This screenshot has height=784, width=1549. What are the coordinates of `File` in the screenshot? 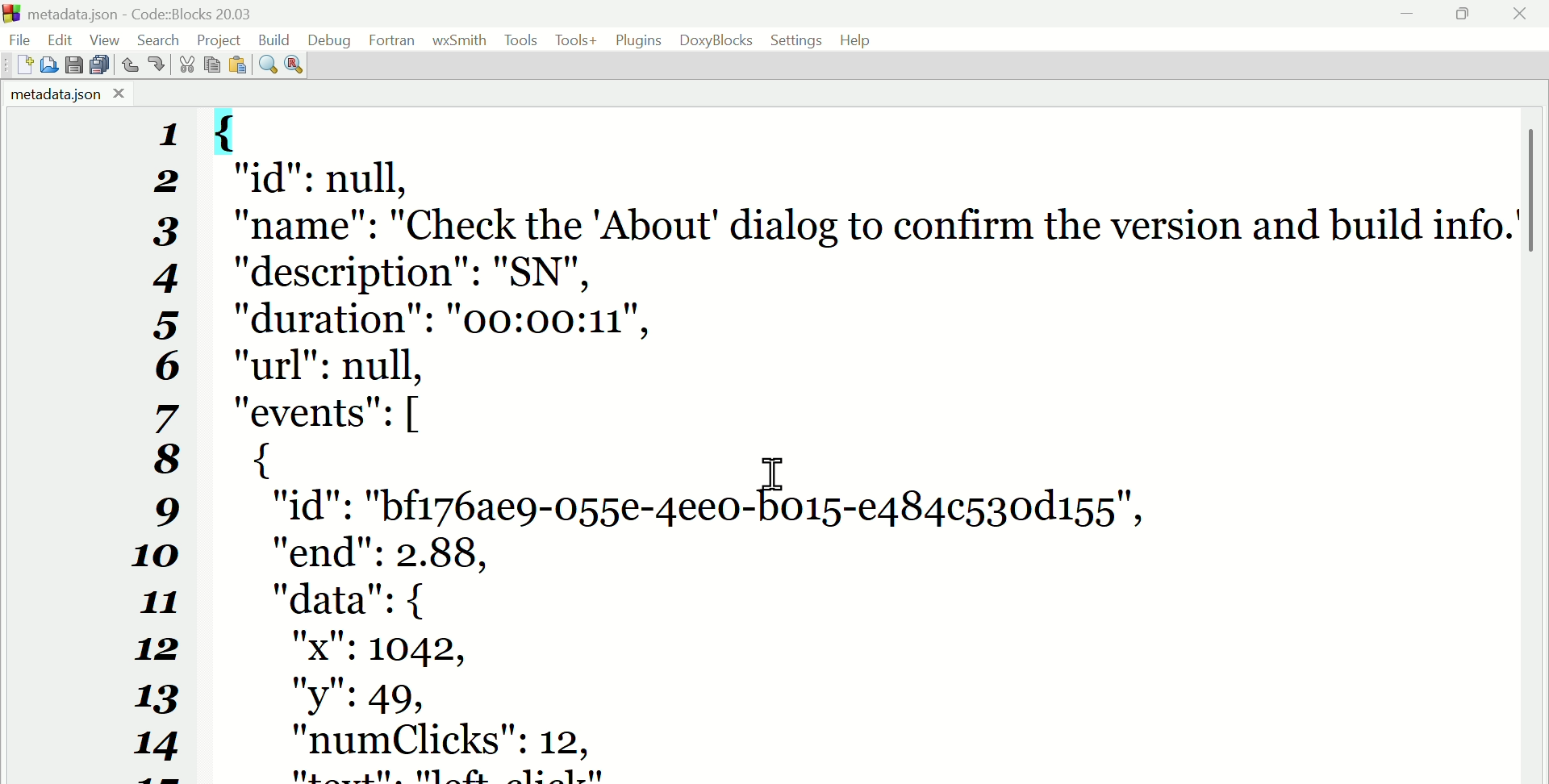 It's located at (24, 38).